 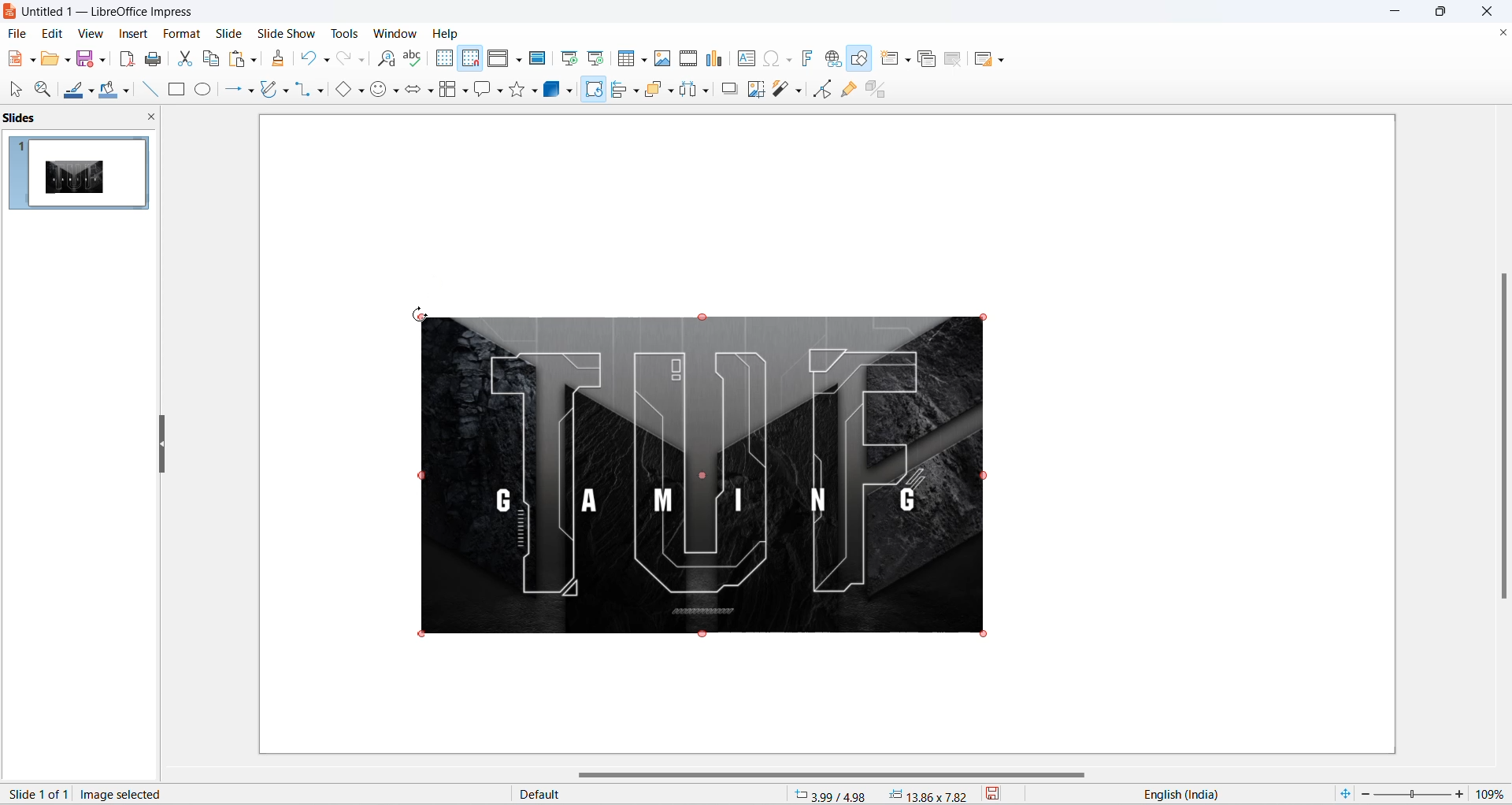 What do you see at coordinates (825, 88) in the screenshot?
I see `toggle edit mode icon` at bounding box center [825, 88].